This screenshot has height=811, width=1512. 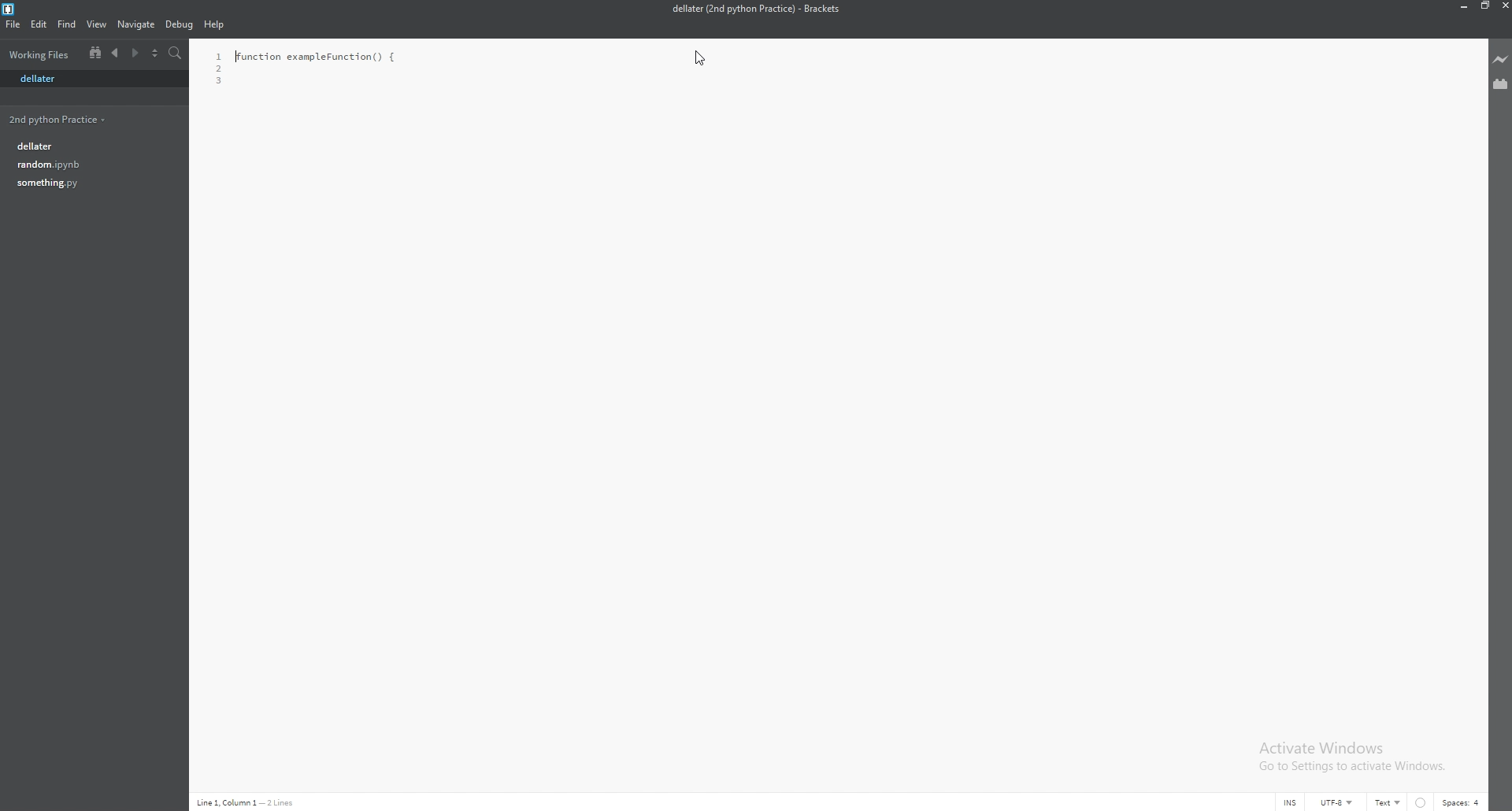 I want to click on bracket logo, so click(x=12, y=9).